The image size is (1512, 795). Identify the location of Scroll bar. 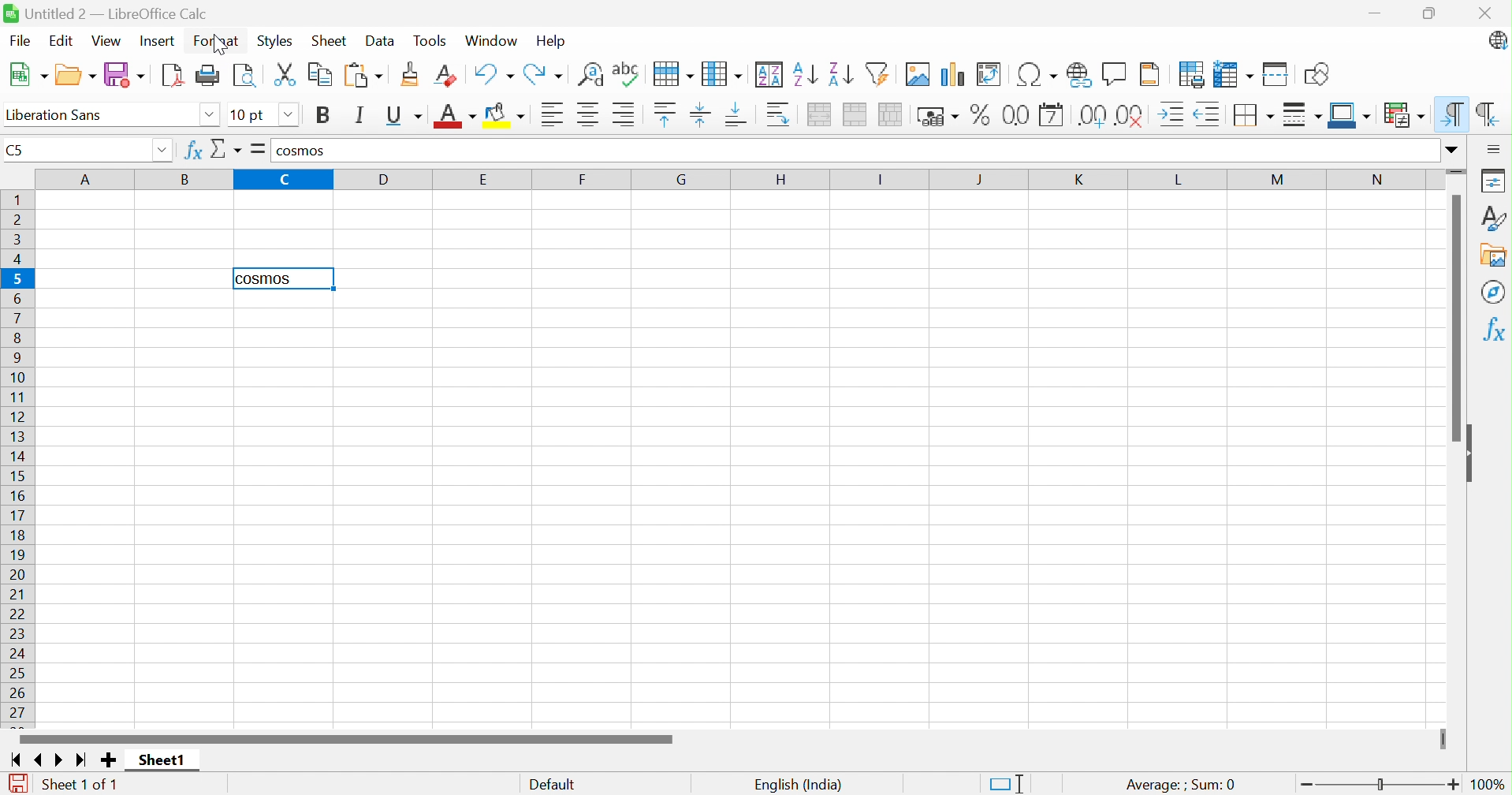
(1456, 319).